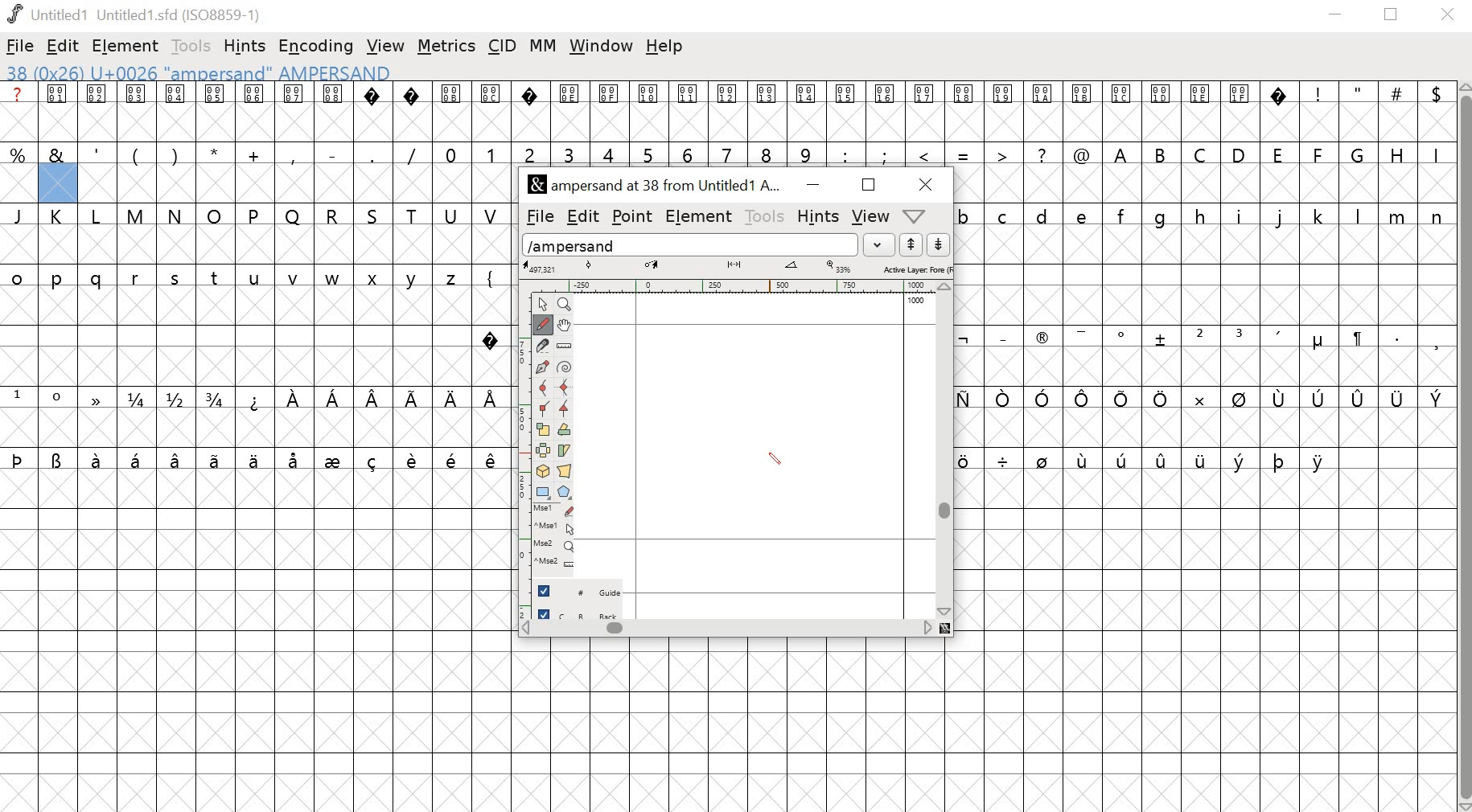 This screenshot has width=1472, height=812. I want to click on 000F, so click(610, 112).